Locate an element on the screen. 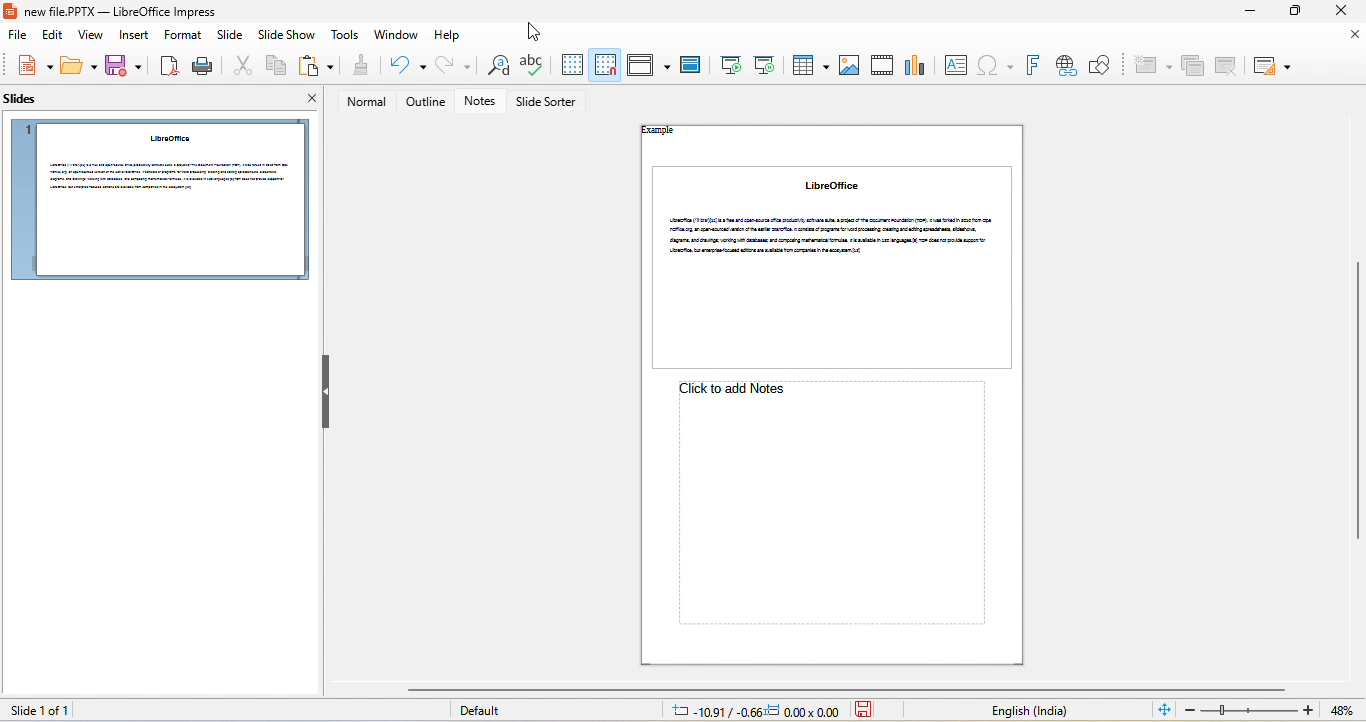 The height and width of the screenshot is (722, 1366). horizontal scrollbar is located at coordinates (845, 689).